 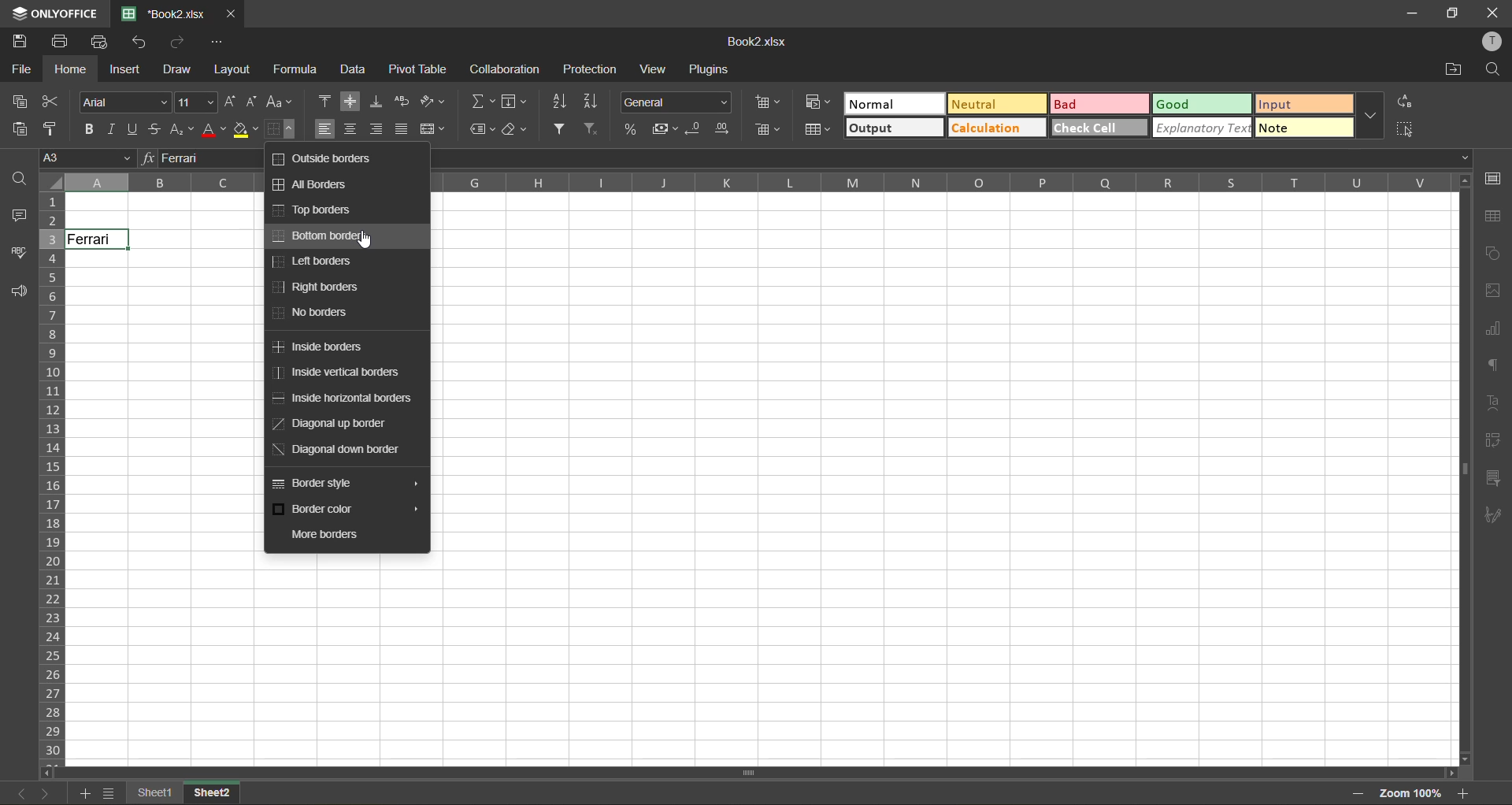 What do you see at coordinates (1496, 440) in the screenshot?
I see `pivot table` at bounding box center [1496, 440].